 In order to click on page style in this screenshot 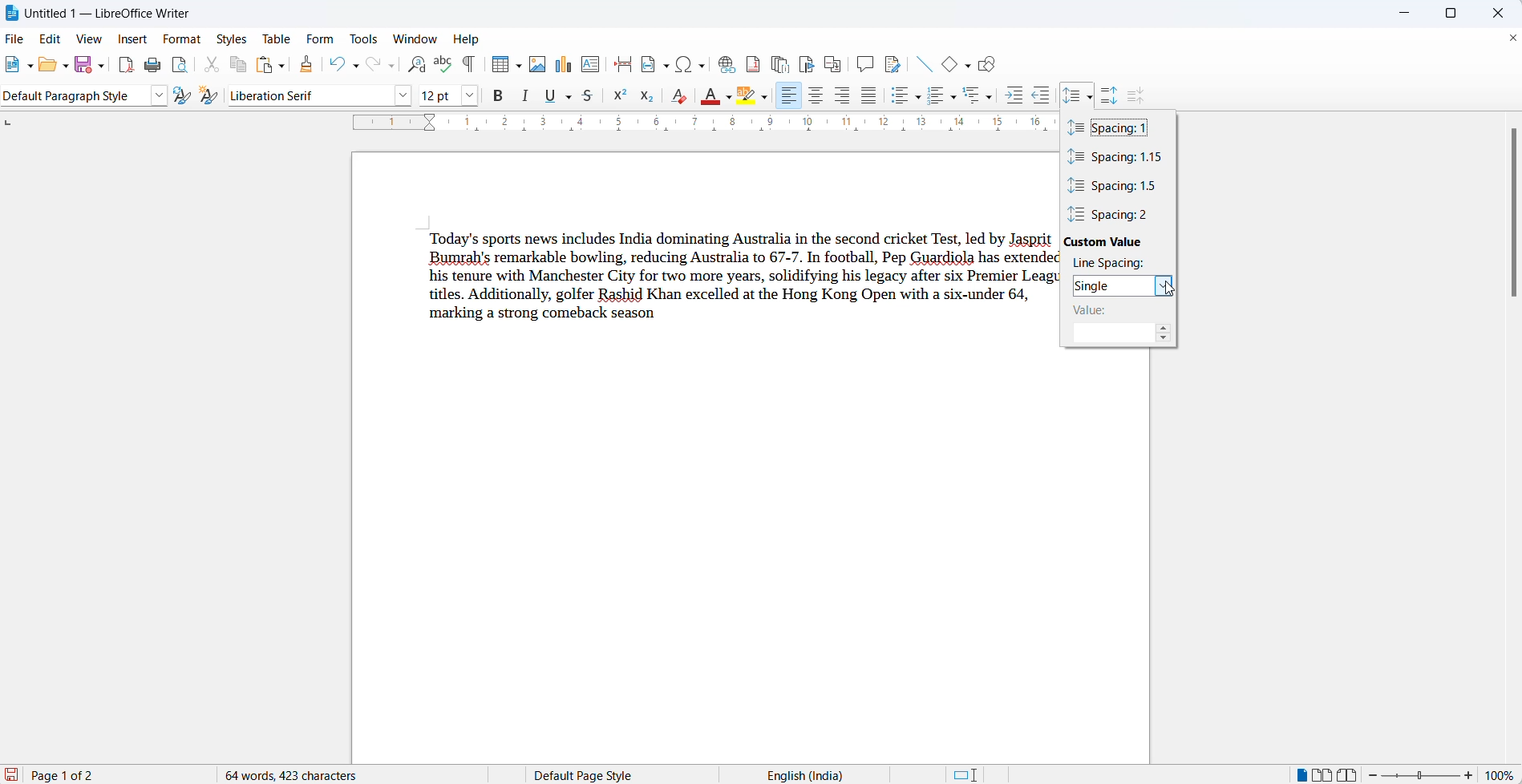, I will do `click(589, 773)`.